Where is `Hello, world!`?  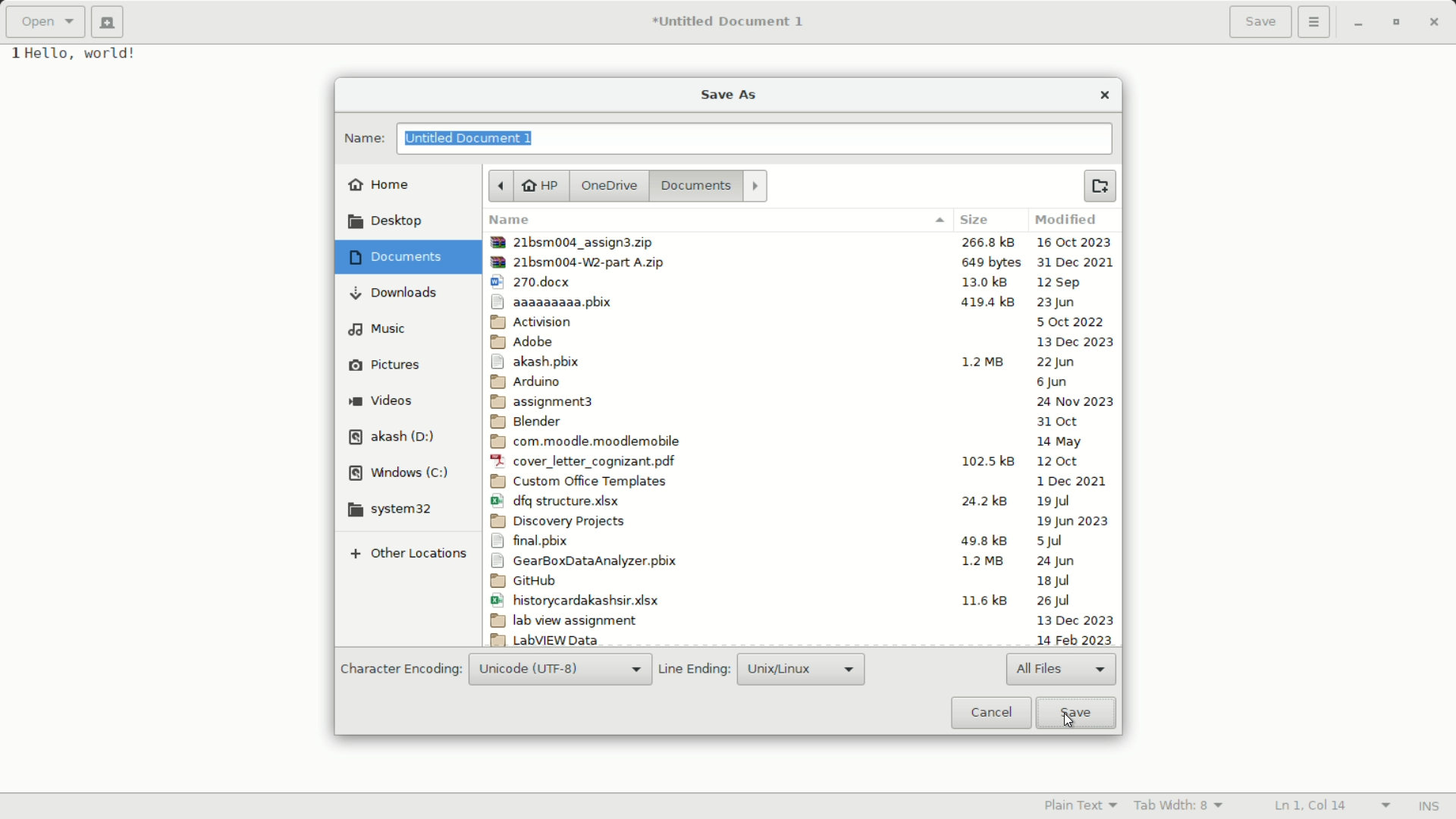 Hello, world! is located at coordinates (95, 56).